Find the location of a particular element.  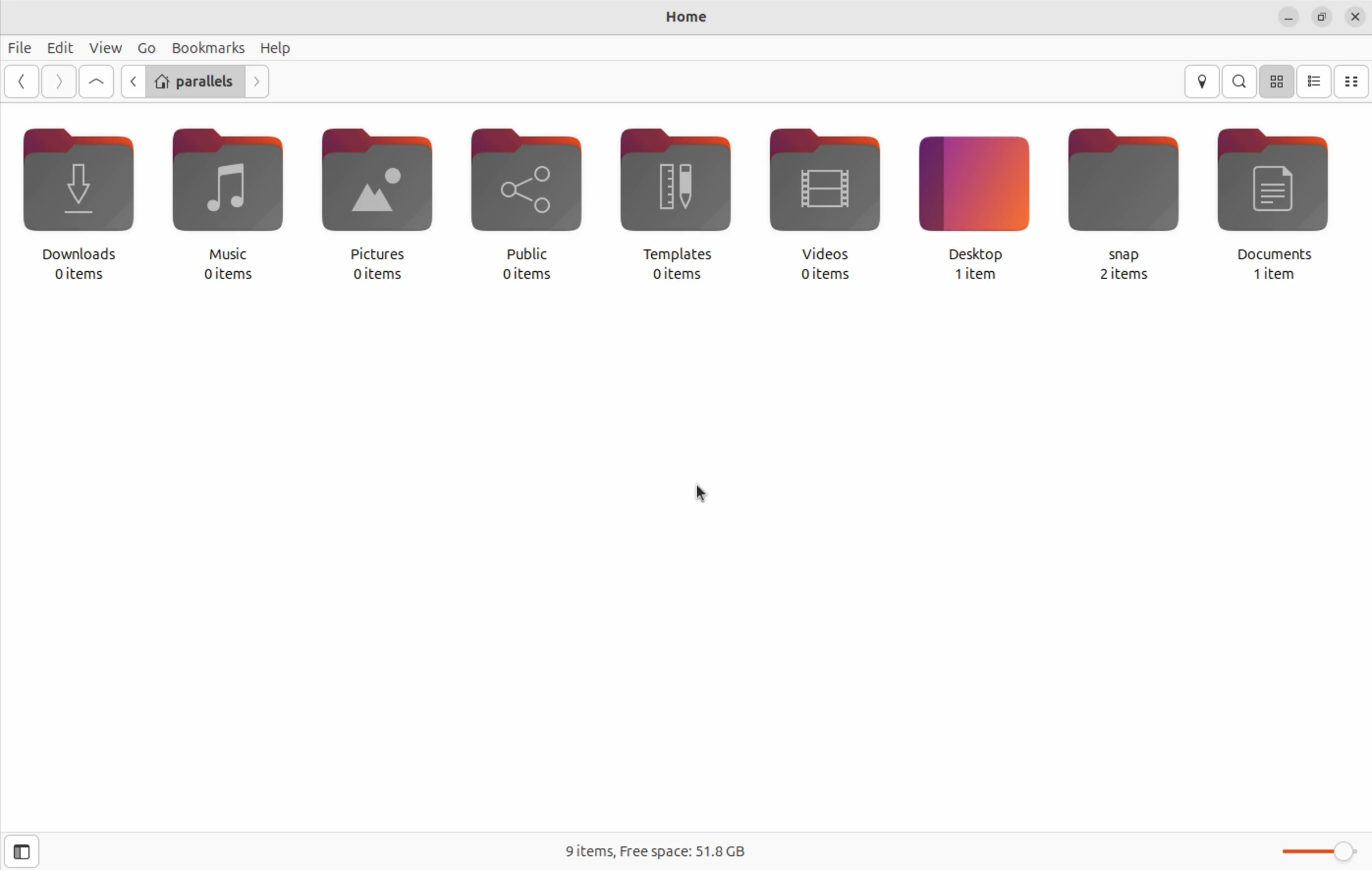

9 items free space 51.48 is located at coordinates (657, 851).